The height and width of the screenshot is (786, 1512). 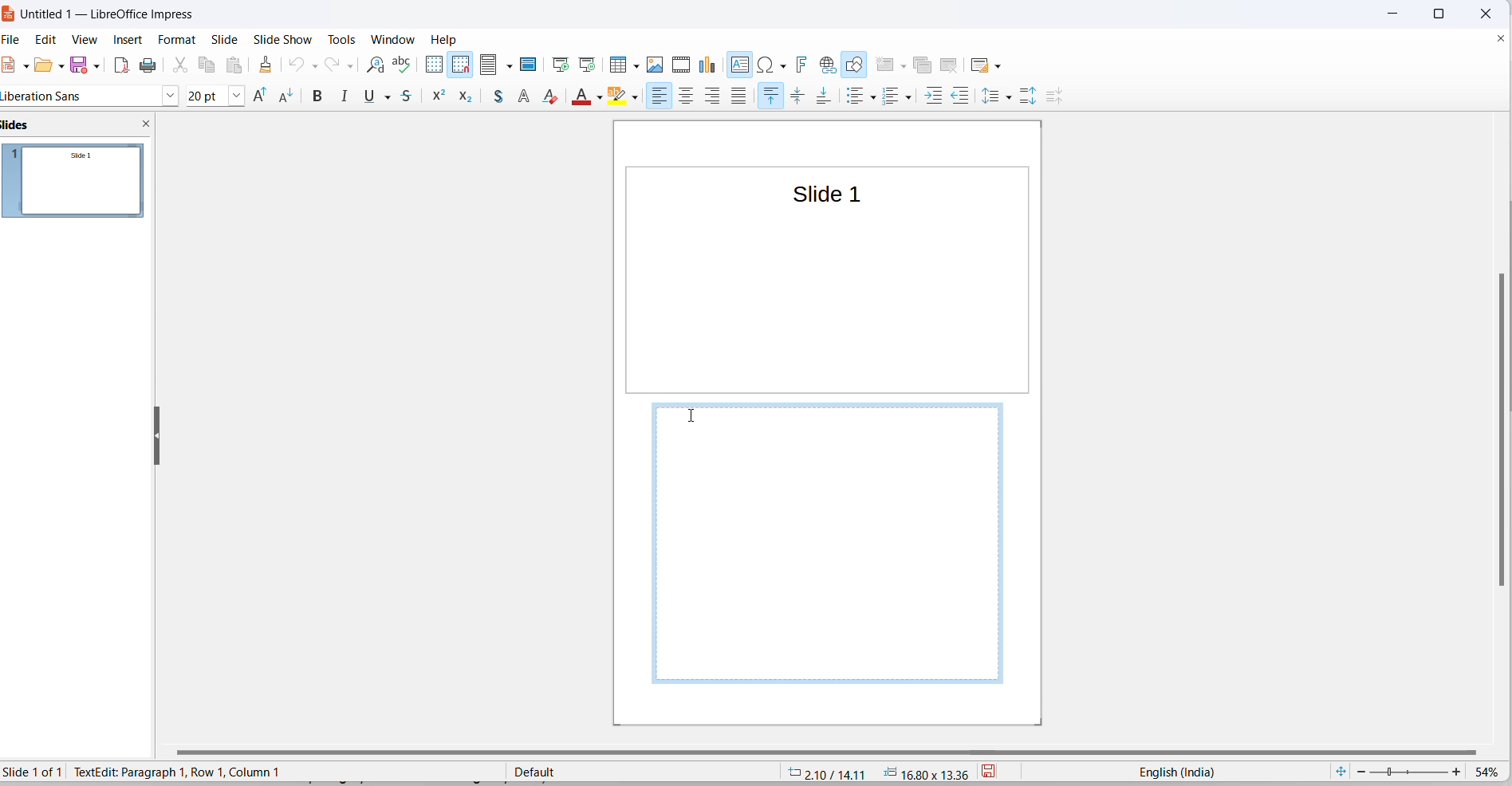 I want to click on zoom percentage, so click(x=1490, y=772).